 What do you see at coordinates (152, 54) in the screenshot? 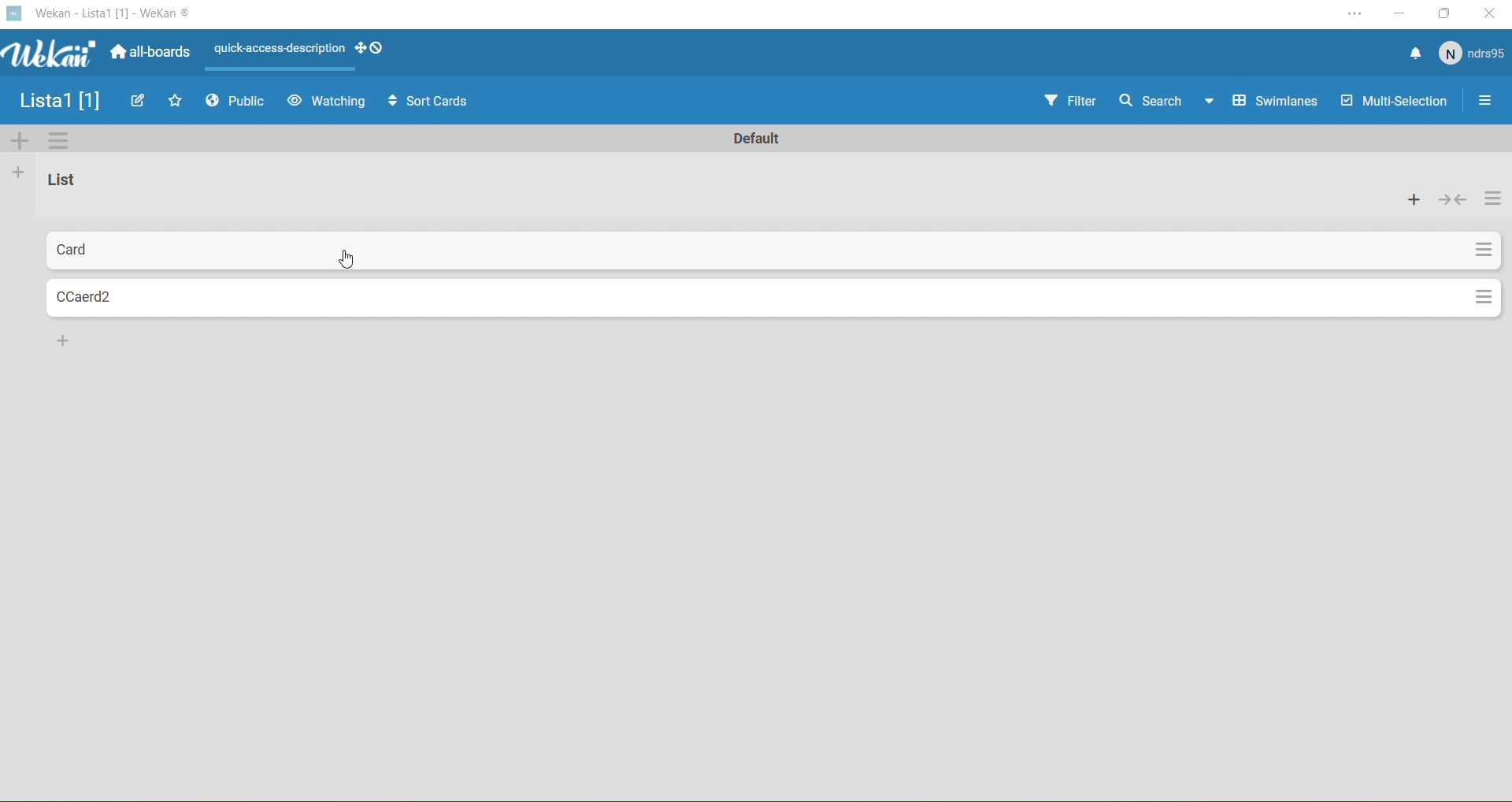
I see `All boards` at bounding box center [152, 54].